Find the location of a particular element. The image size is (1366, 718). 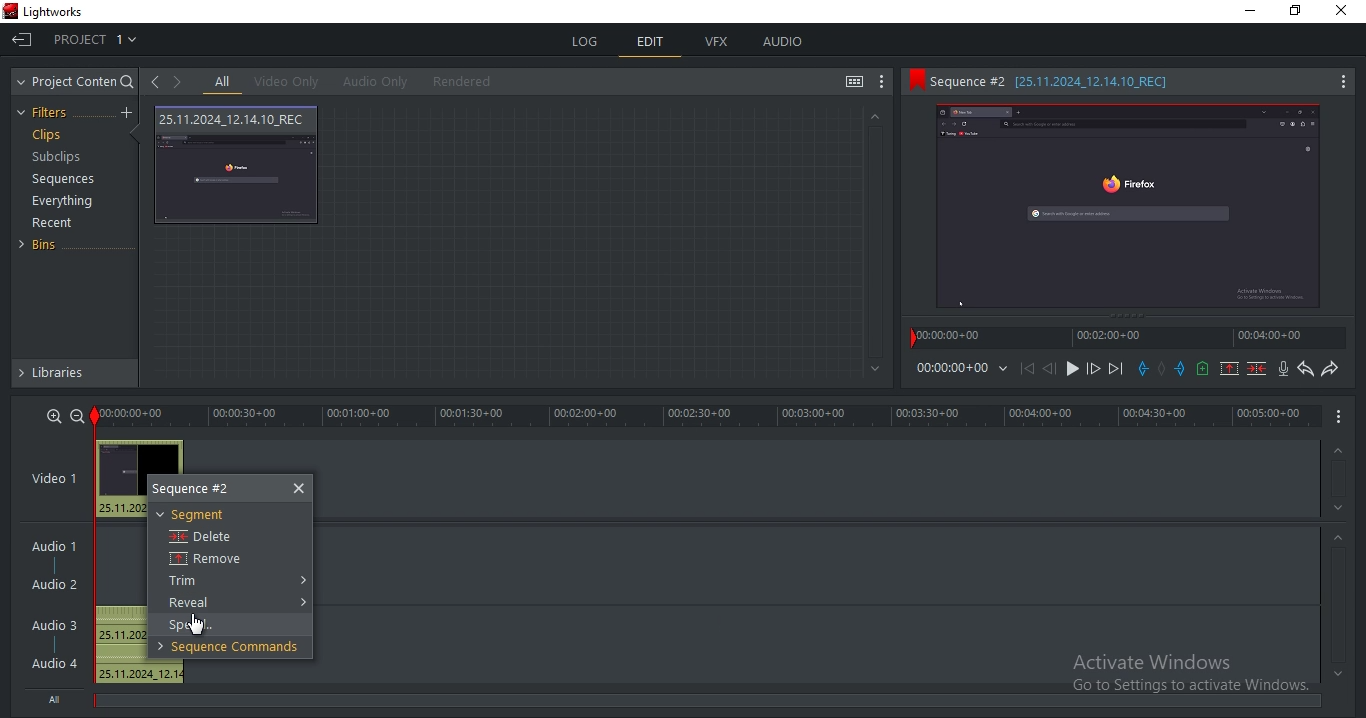

recent is located at coordinates (55, 225).